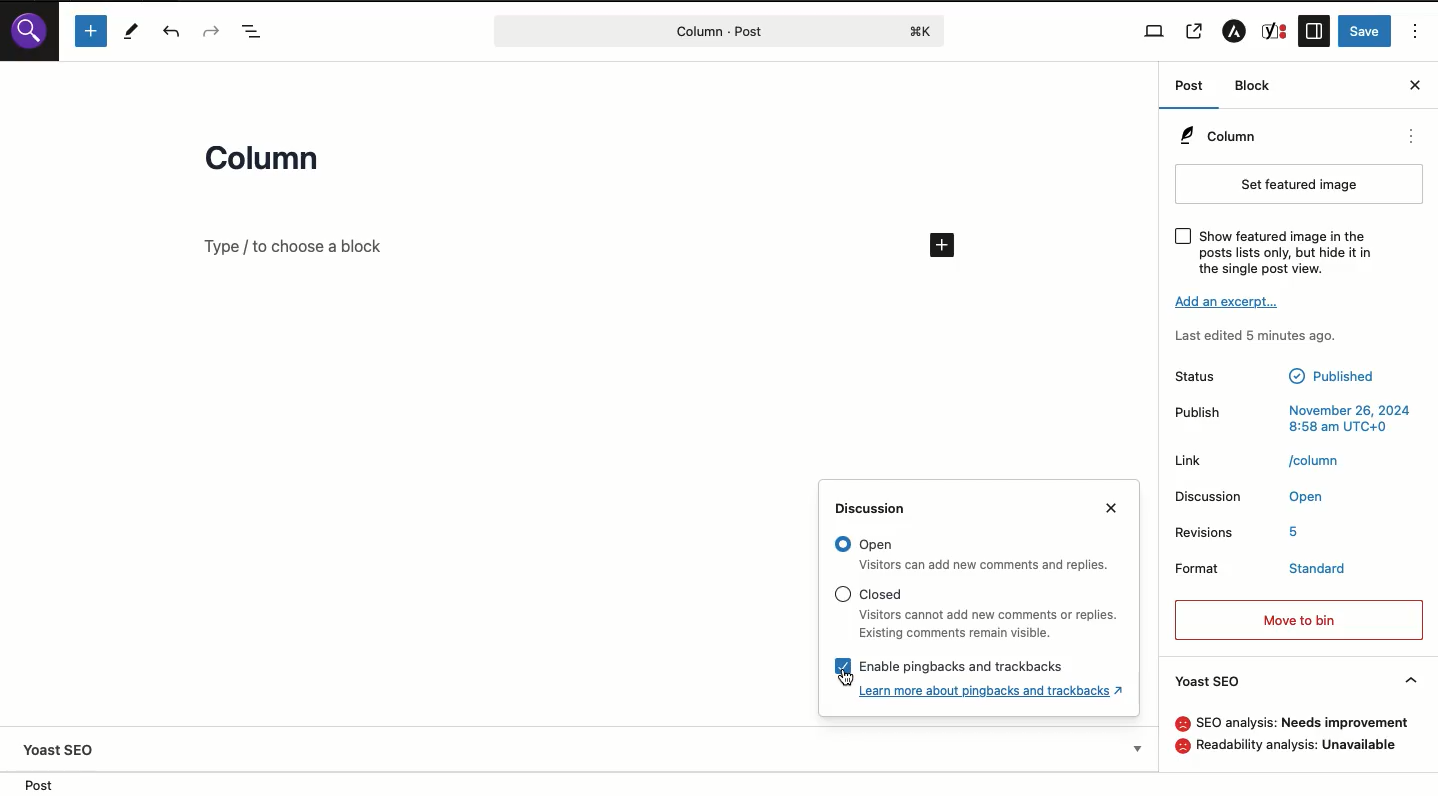  What do you see at coordinates (294, 246) in the screenshot?
I see `Add new block` at bounding box center [294, 246].